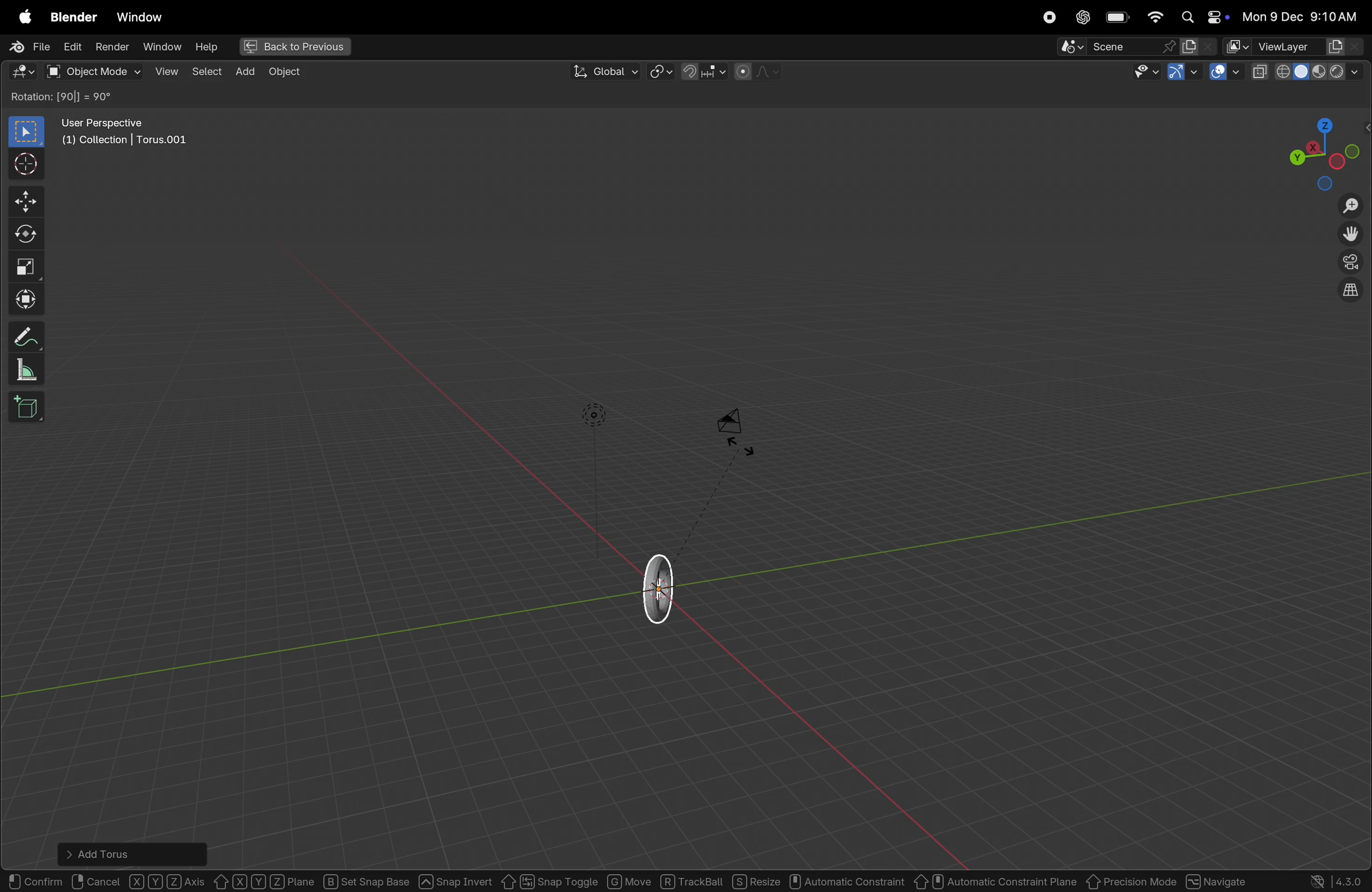  I want to click on curosor, so click(29, 163).